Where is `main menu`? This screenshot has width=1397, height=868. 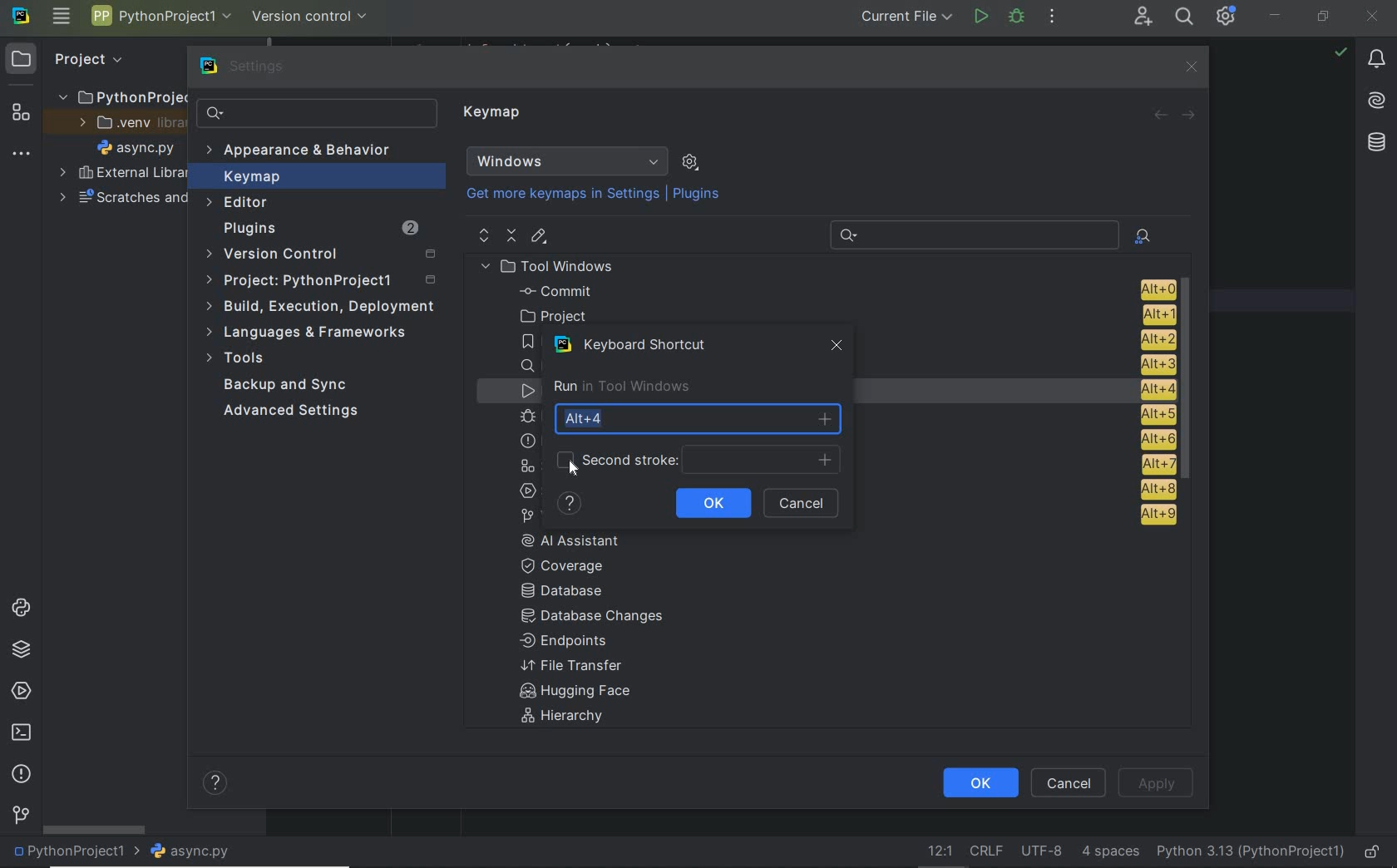
main menu is located at coordinates (61, 17).